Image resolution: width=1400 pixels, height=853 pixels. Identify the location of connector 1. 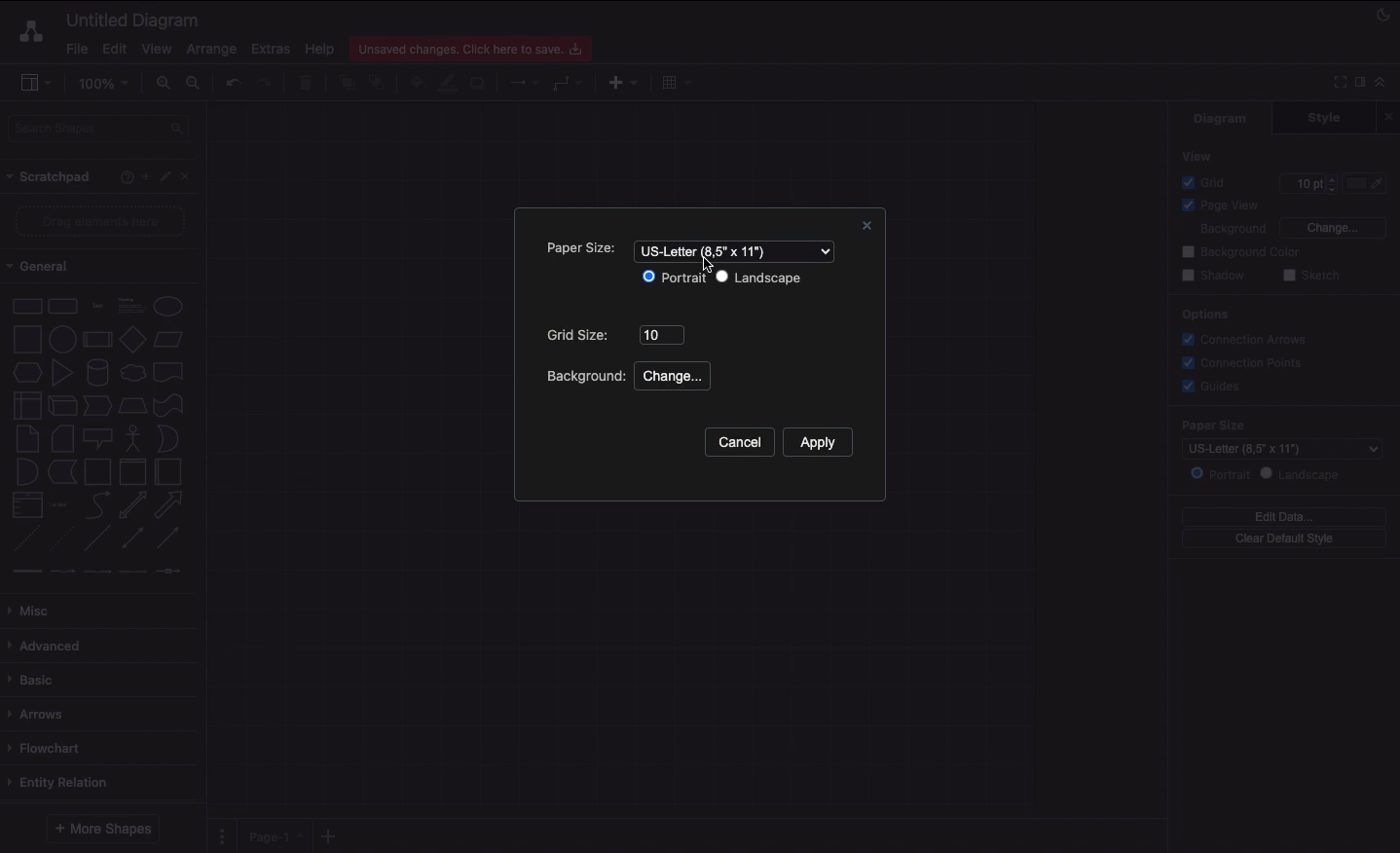
(24, 572).